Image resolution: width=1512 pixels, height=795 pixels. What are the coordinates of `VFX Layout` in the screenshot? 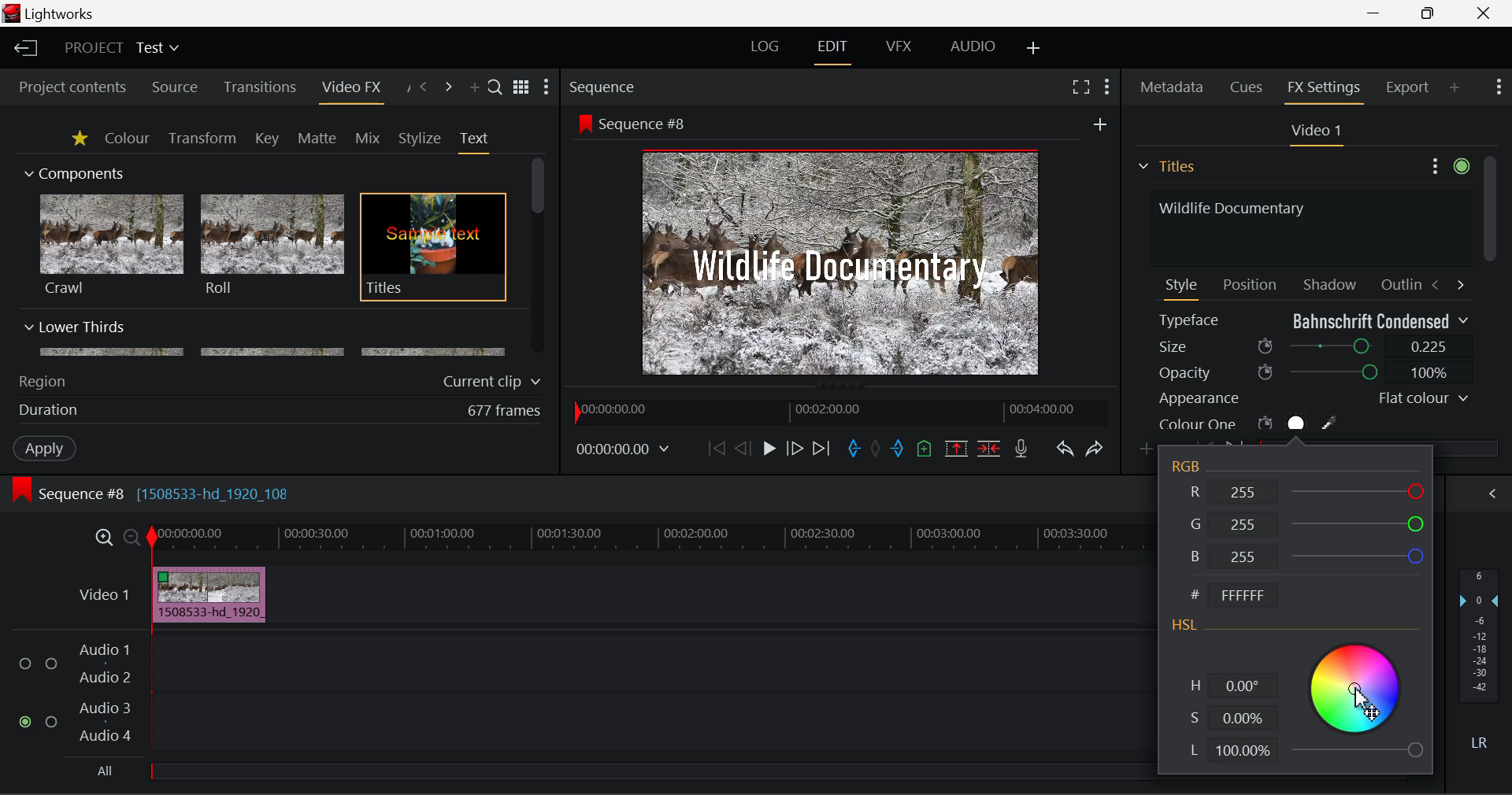 It's located at (898, 46).